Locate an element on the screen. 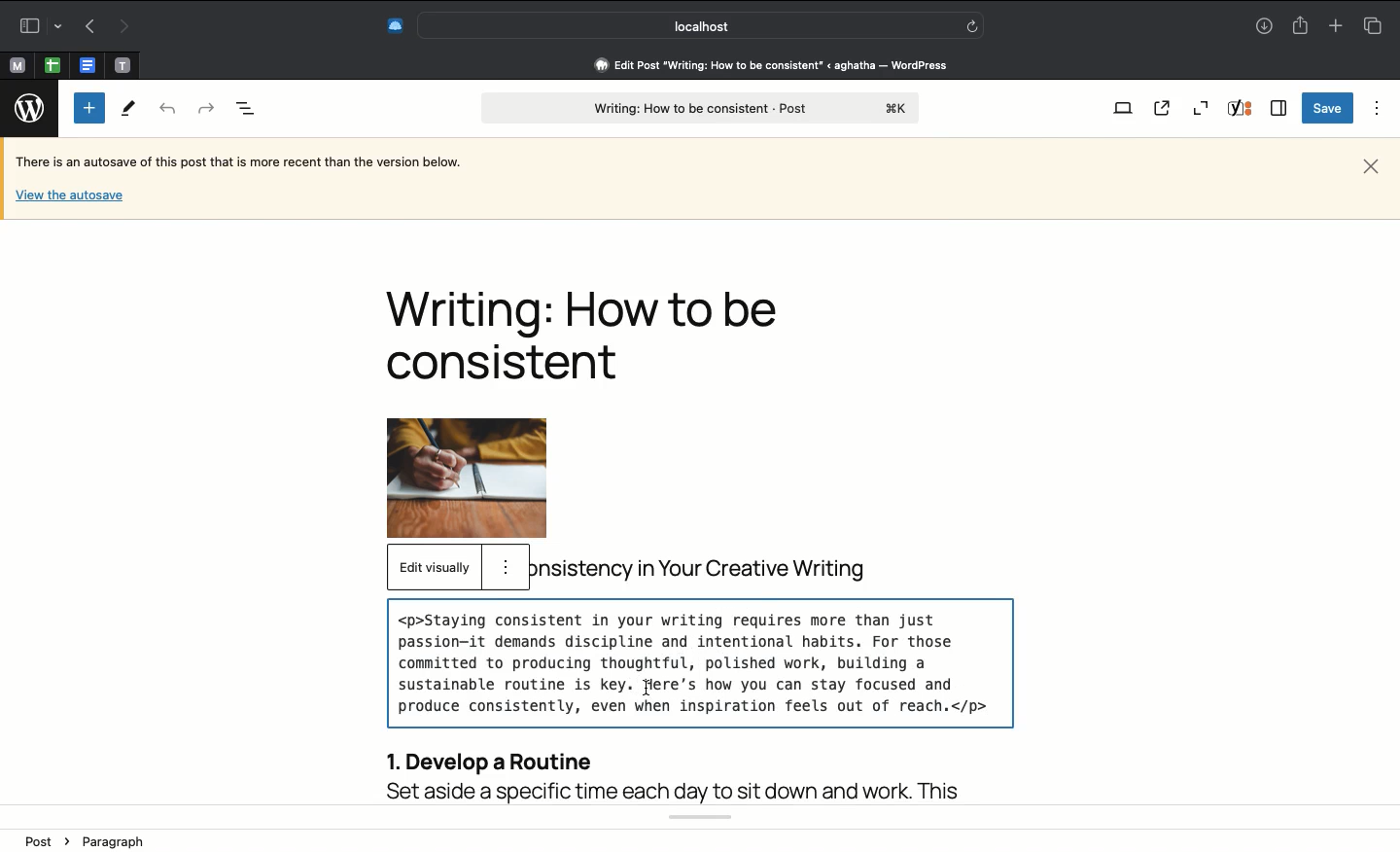 The height and width of the screenshot is (852, 1400). Post is located at coordinates (49, 840).